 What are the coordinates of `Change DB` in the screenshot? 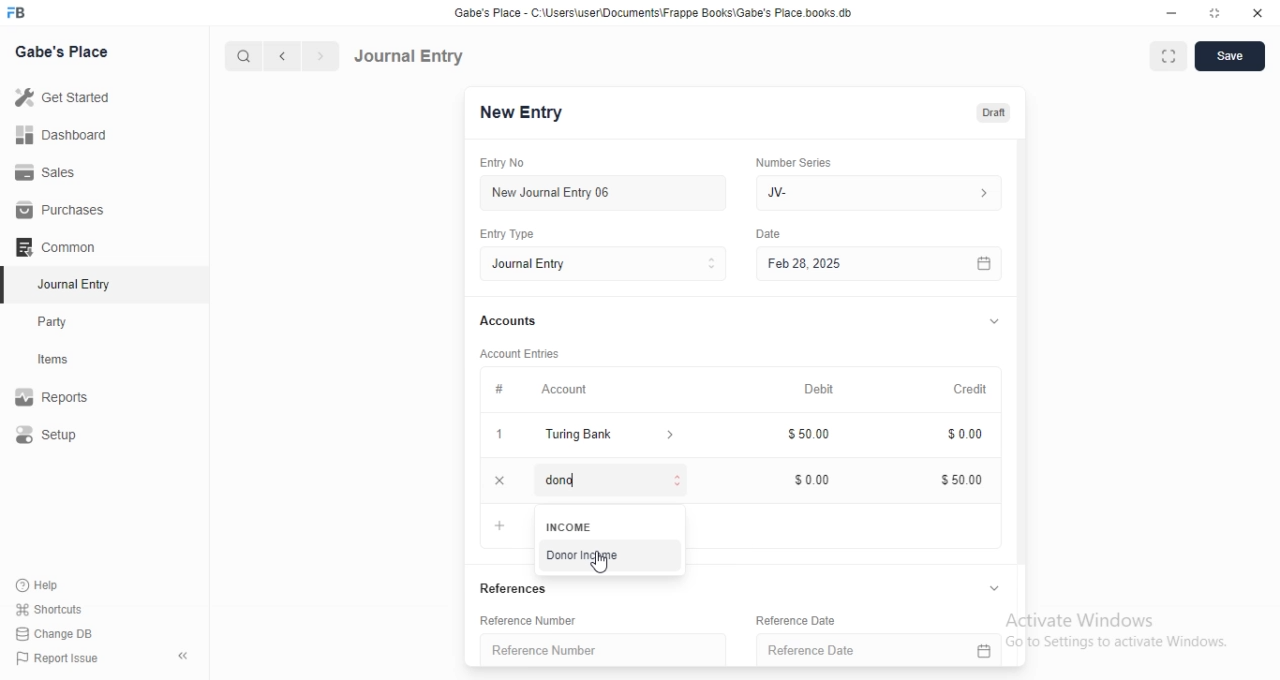 It's located at (60, 633).